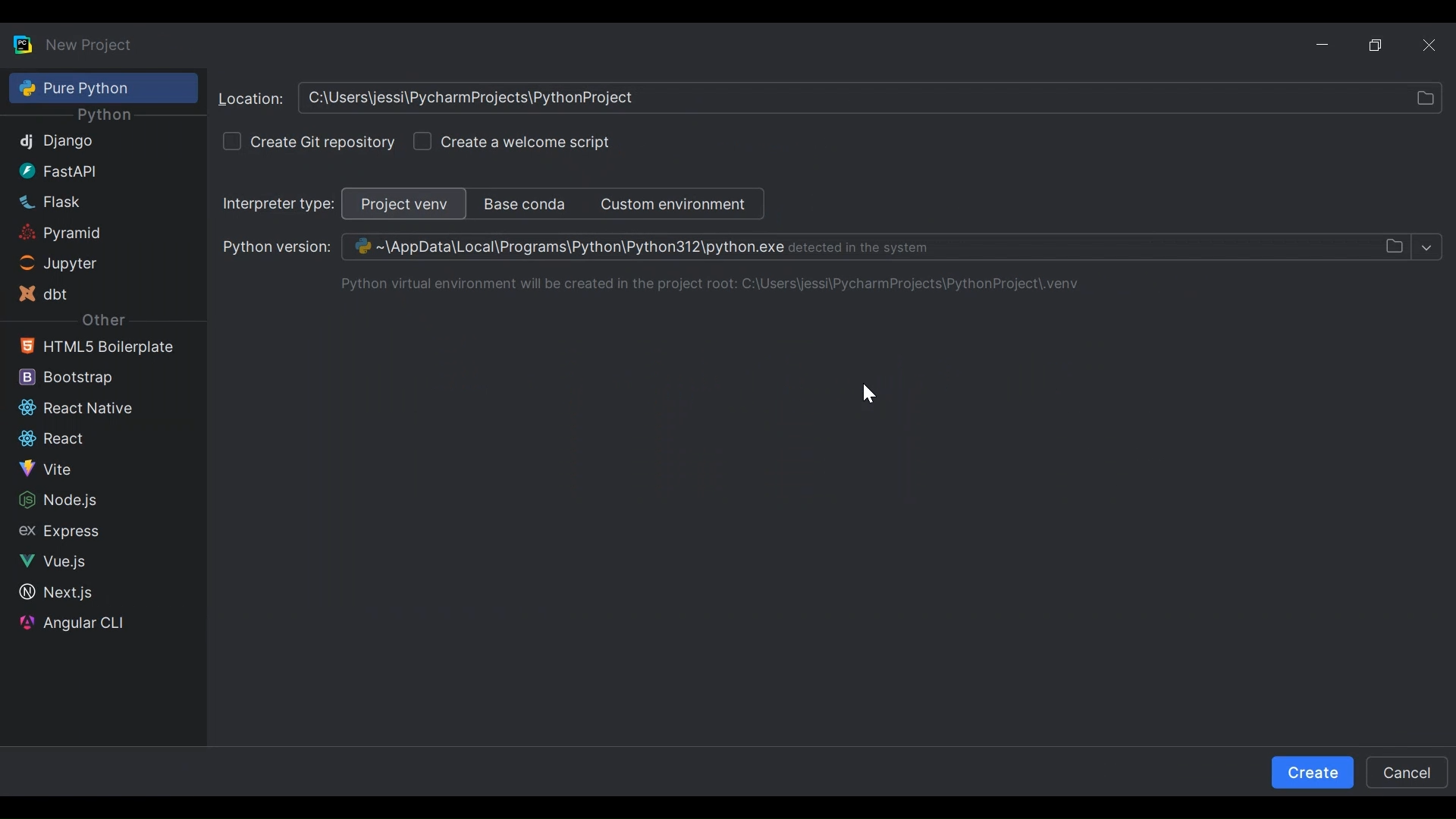 The height and width of the screenshot is (819, 1456). Describe the element at coordinates (1410, 248) in the screenshot. I see `Select File Dropdown` at that location.